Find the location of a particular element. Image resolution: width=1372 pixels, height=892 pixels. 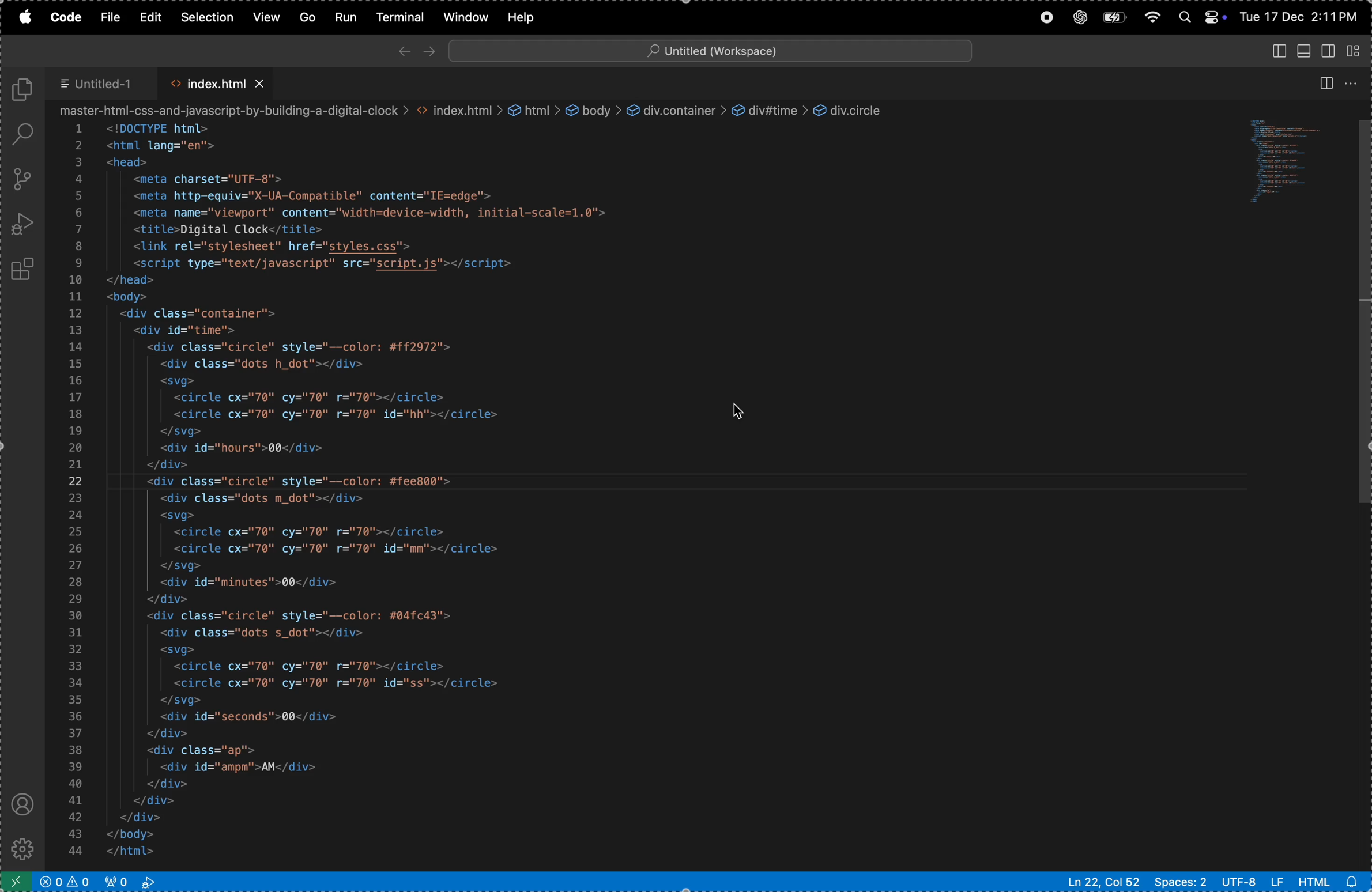

file is located at coordinates (112, 18).